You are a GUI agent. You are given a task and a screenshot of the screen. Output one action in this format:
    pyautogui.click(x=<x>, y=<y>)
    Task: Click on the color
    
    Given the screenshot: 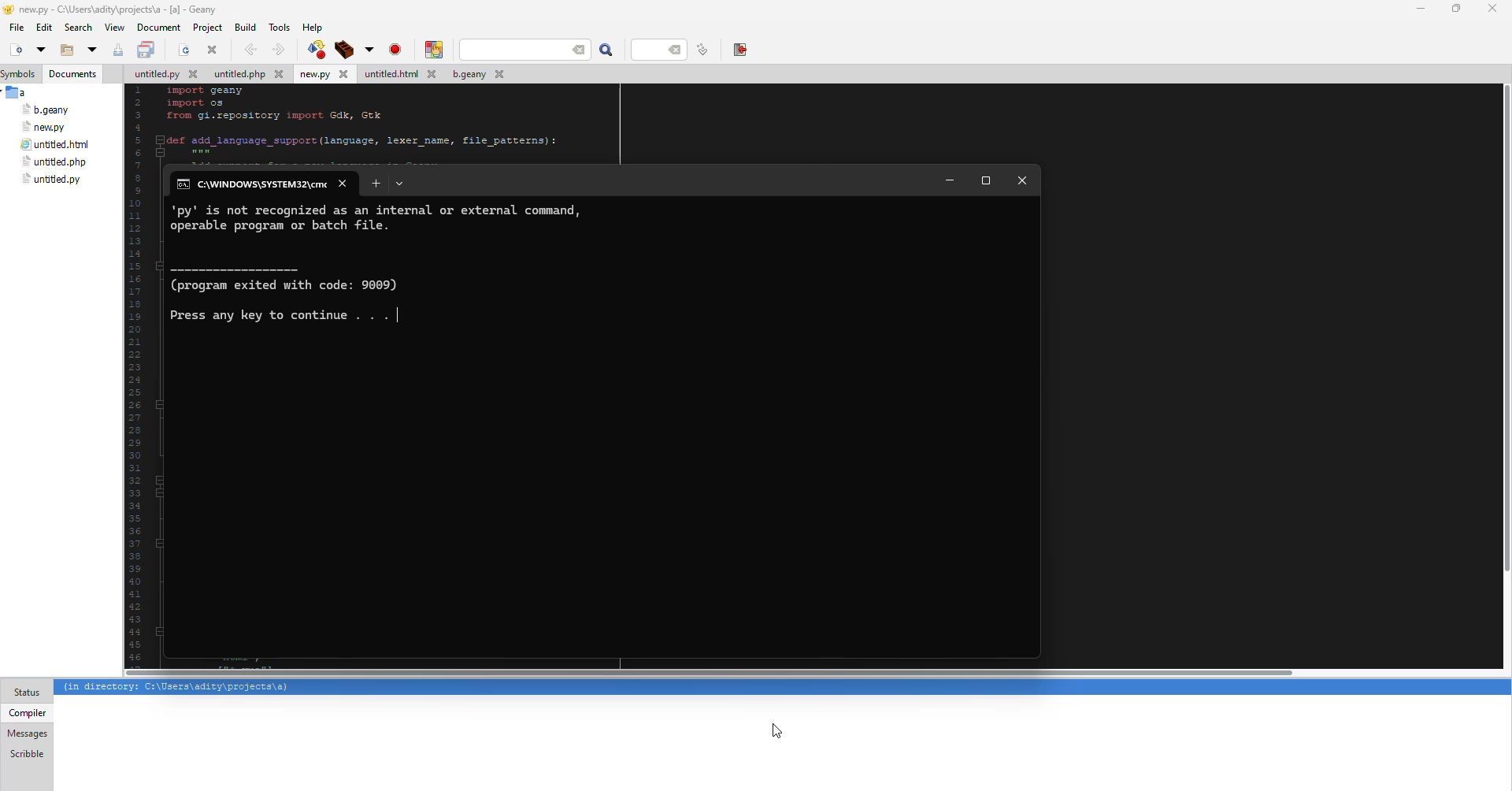 What is the action you would take?
    pyautogui.click(x=434, y=50)
    